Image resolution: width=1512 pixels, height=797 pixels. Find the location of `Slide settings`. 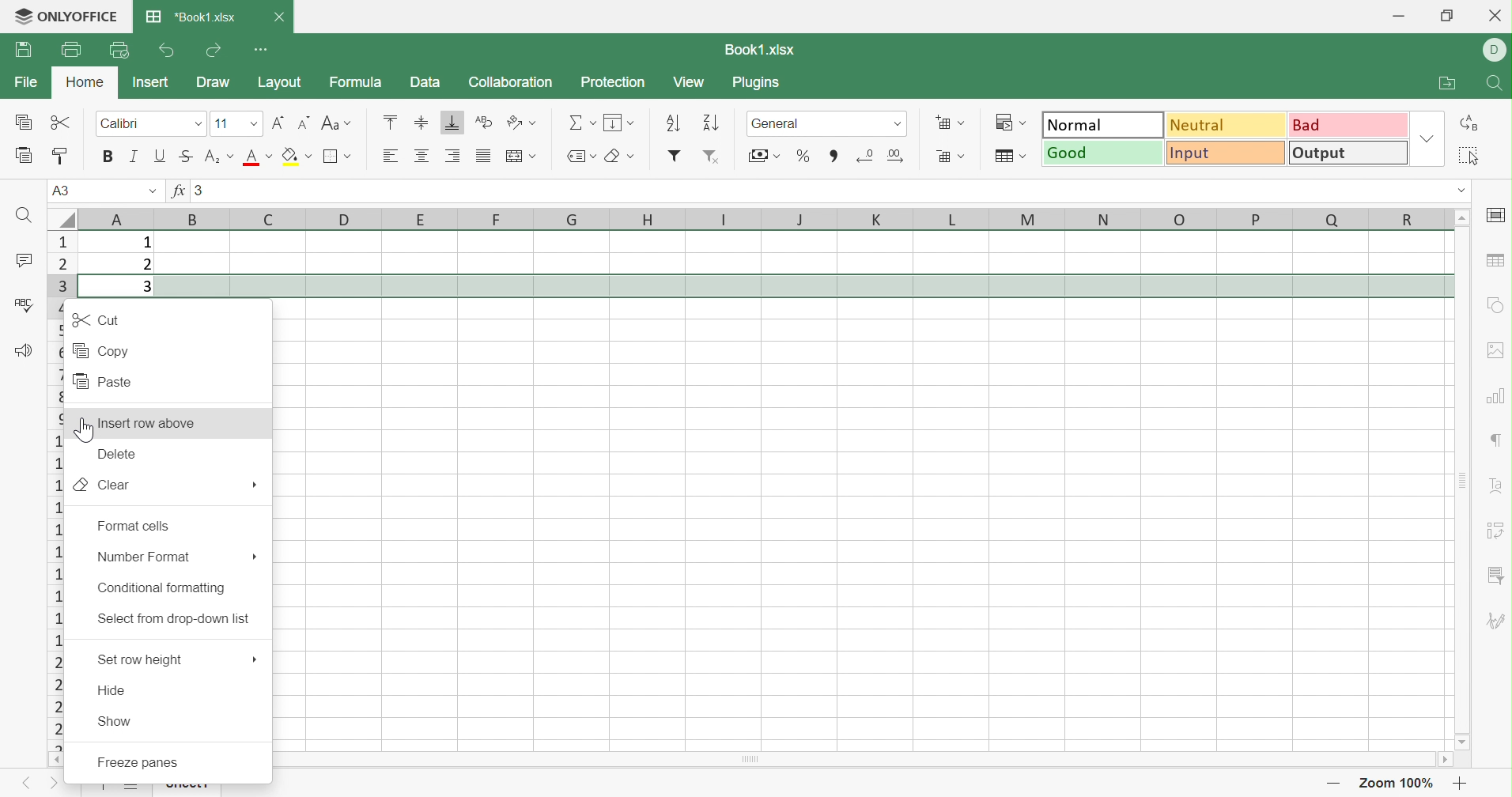

Slide settings is located at coordinates (1493, 217).